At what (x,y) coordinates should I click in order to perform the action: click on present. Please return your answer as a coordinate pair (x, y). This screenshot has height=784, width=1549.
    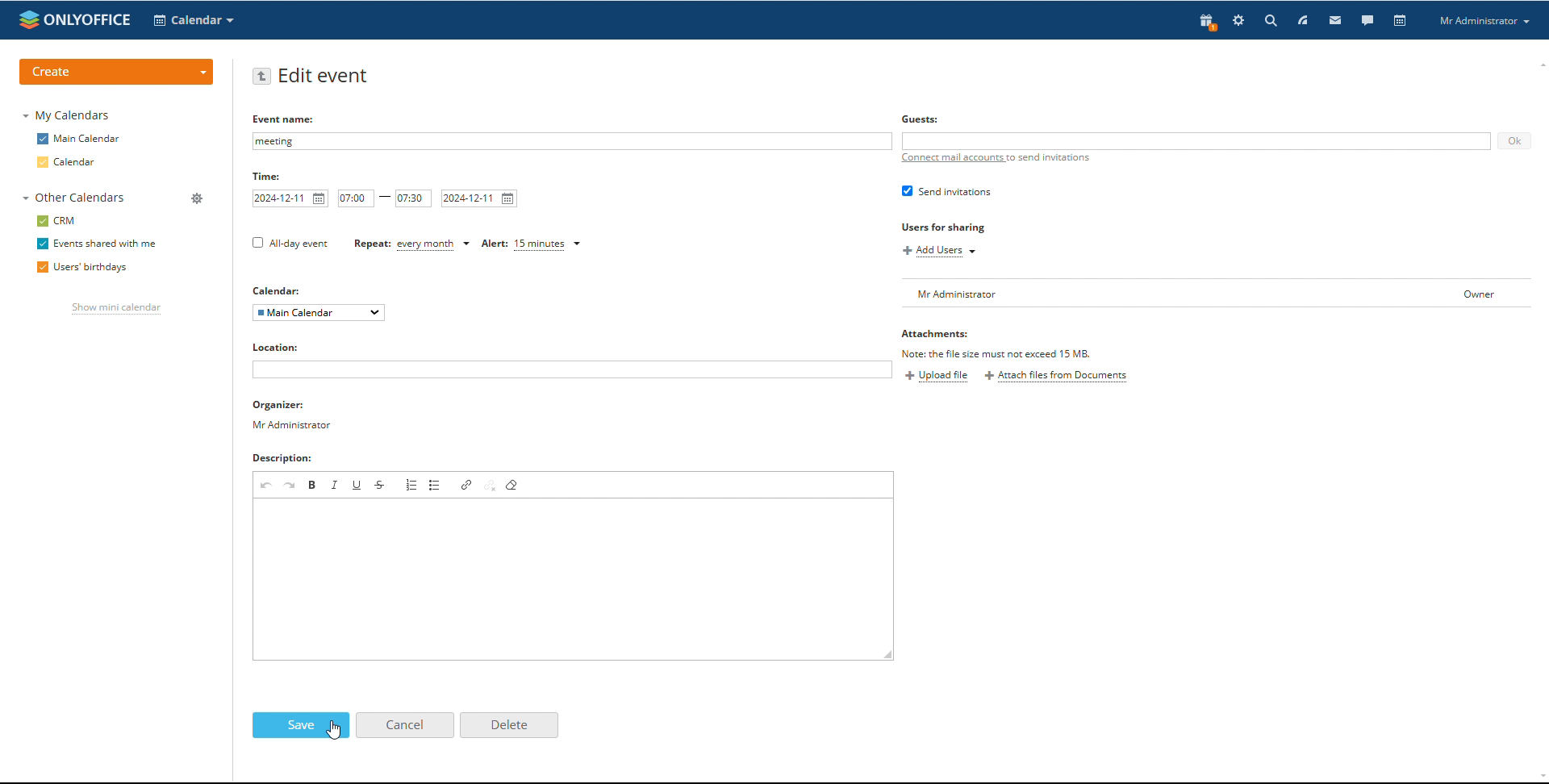
    Looking at the image, I should click on (1208, 21).